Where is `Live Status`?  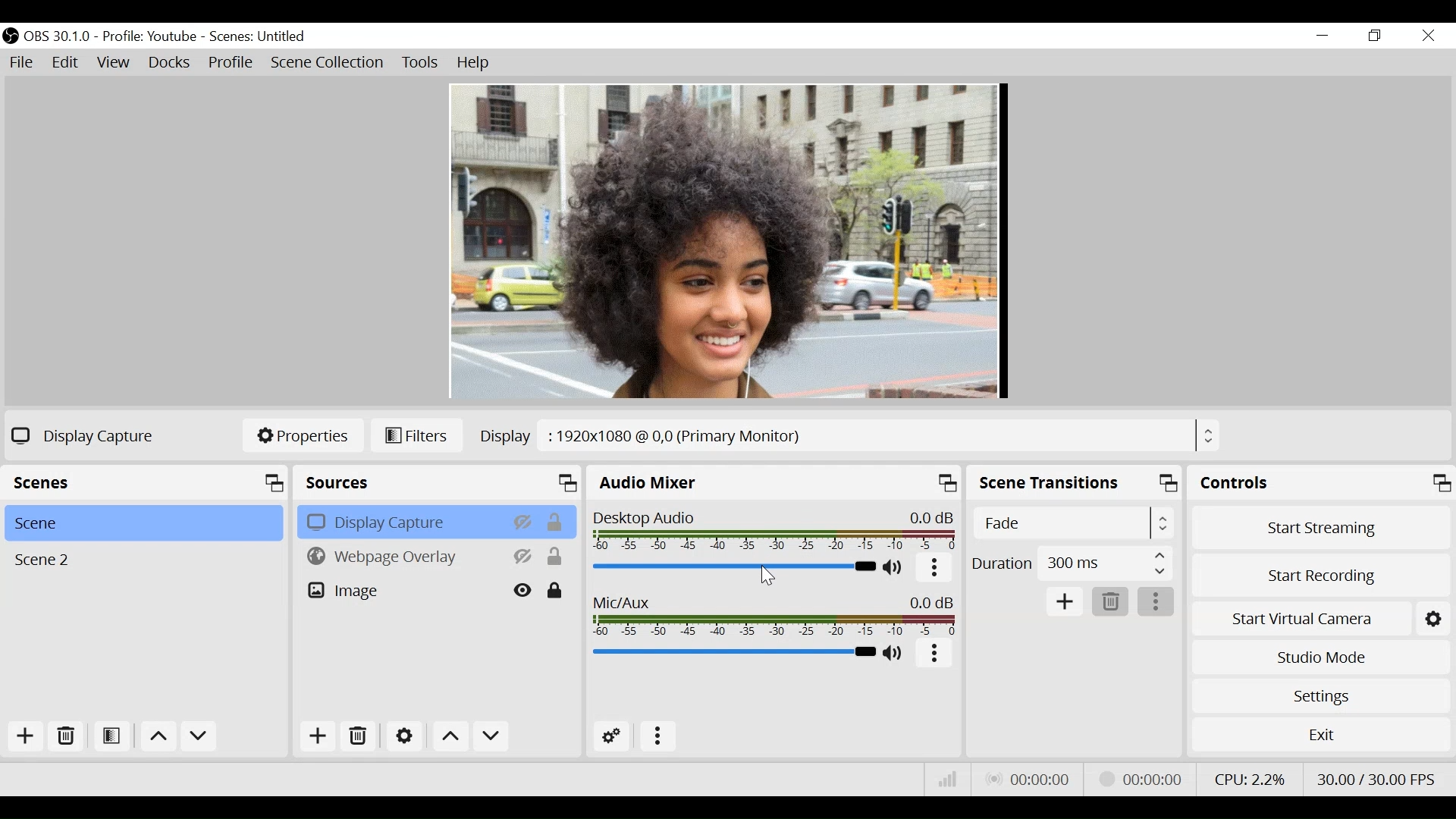
Live Status is located at coordinates (1031, 777).